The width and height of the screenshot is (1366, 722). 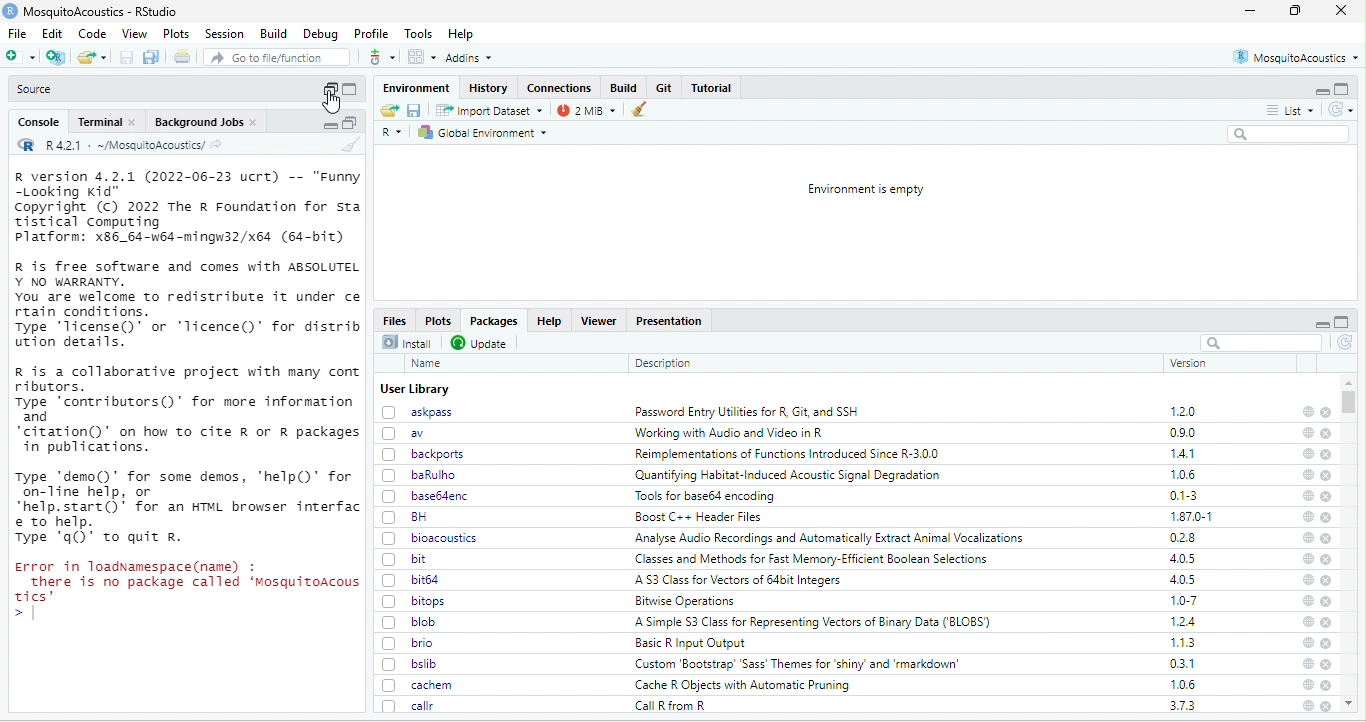 What do you see at coordinates (1351, 704) in the screenshot?
I see `scroll up` at bounding box center [1351, 704].